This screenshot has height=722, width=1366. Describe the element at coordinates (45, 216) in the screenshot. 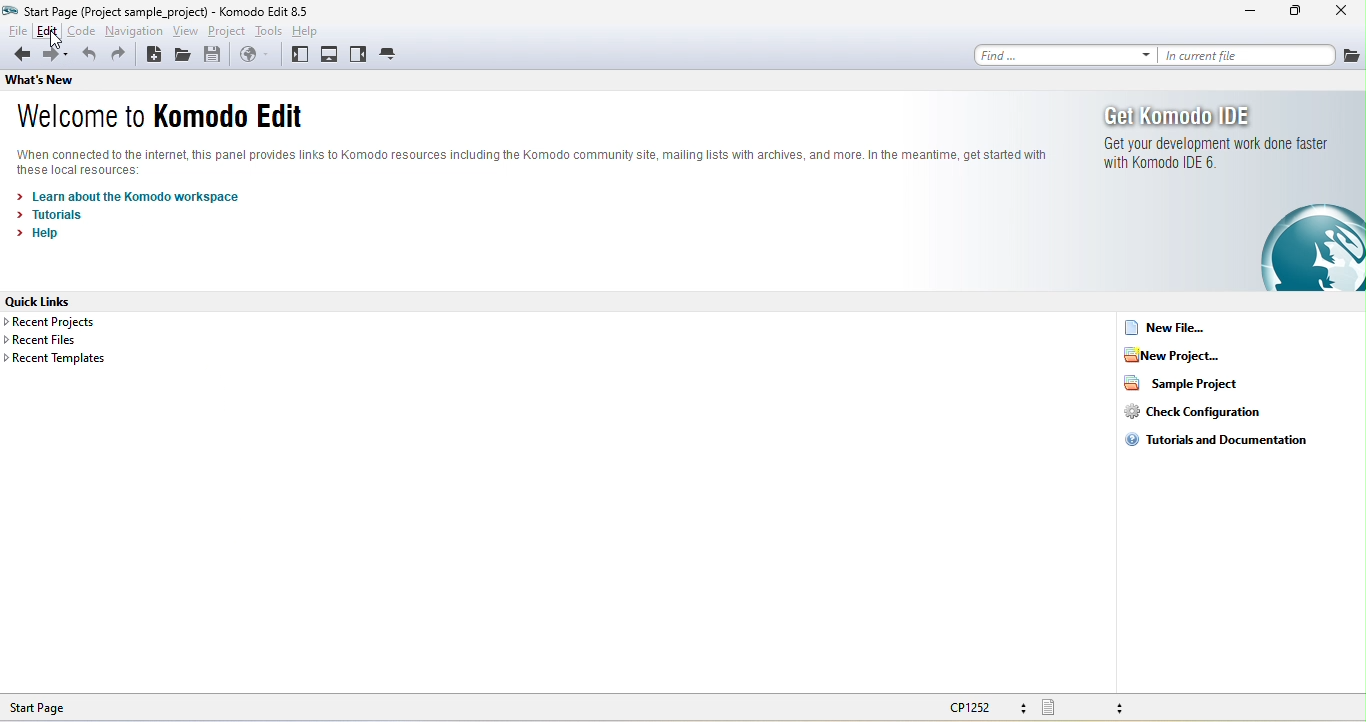

I see `tutorials` at that location.